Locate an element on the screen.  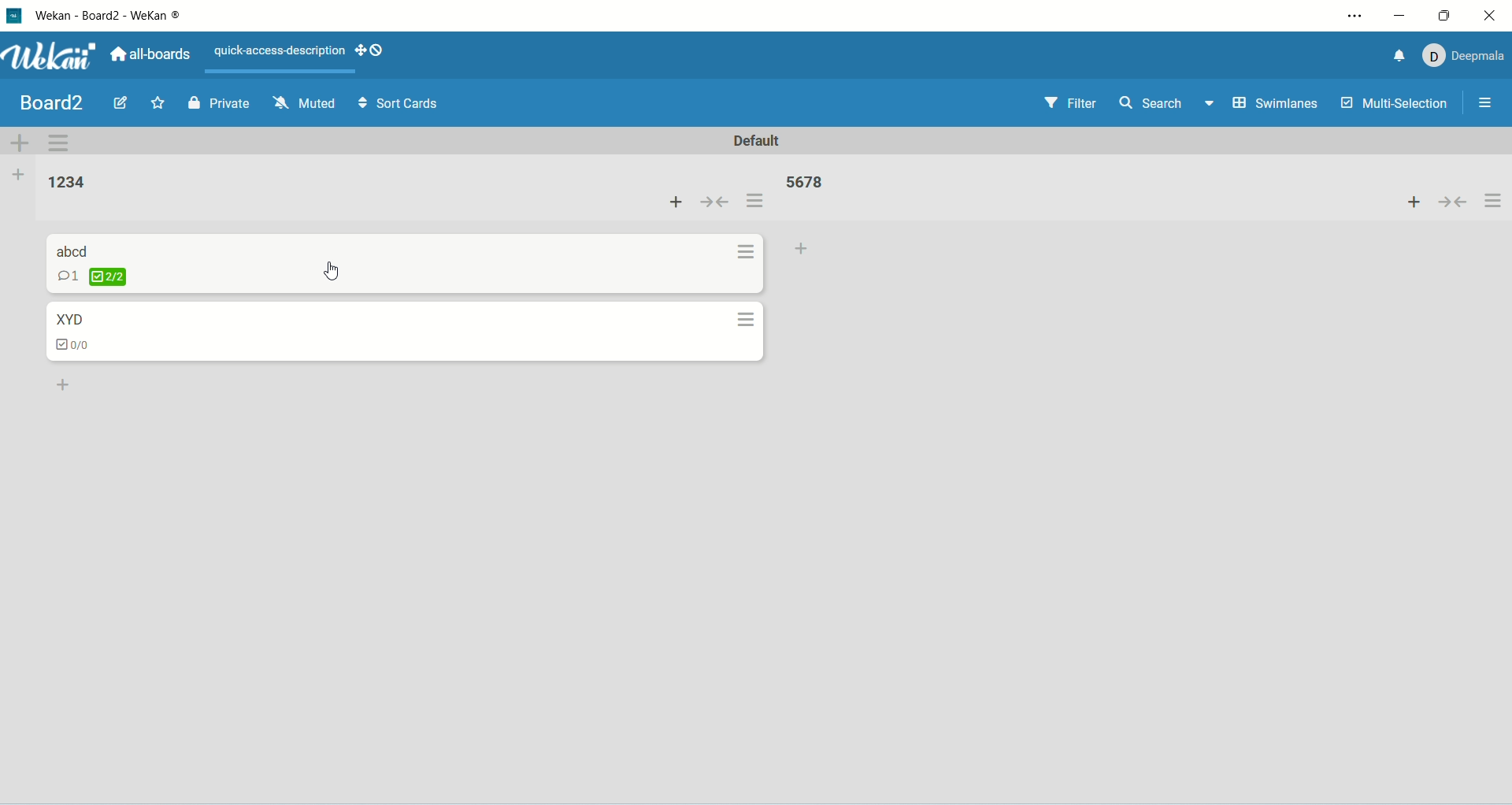
swimlane actions is located at coordinates (61, 145).